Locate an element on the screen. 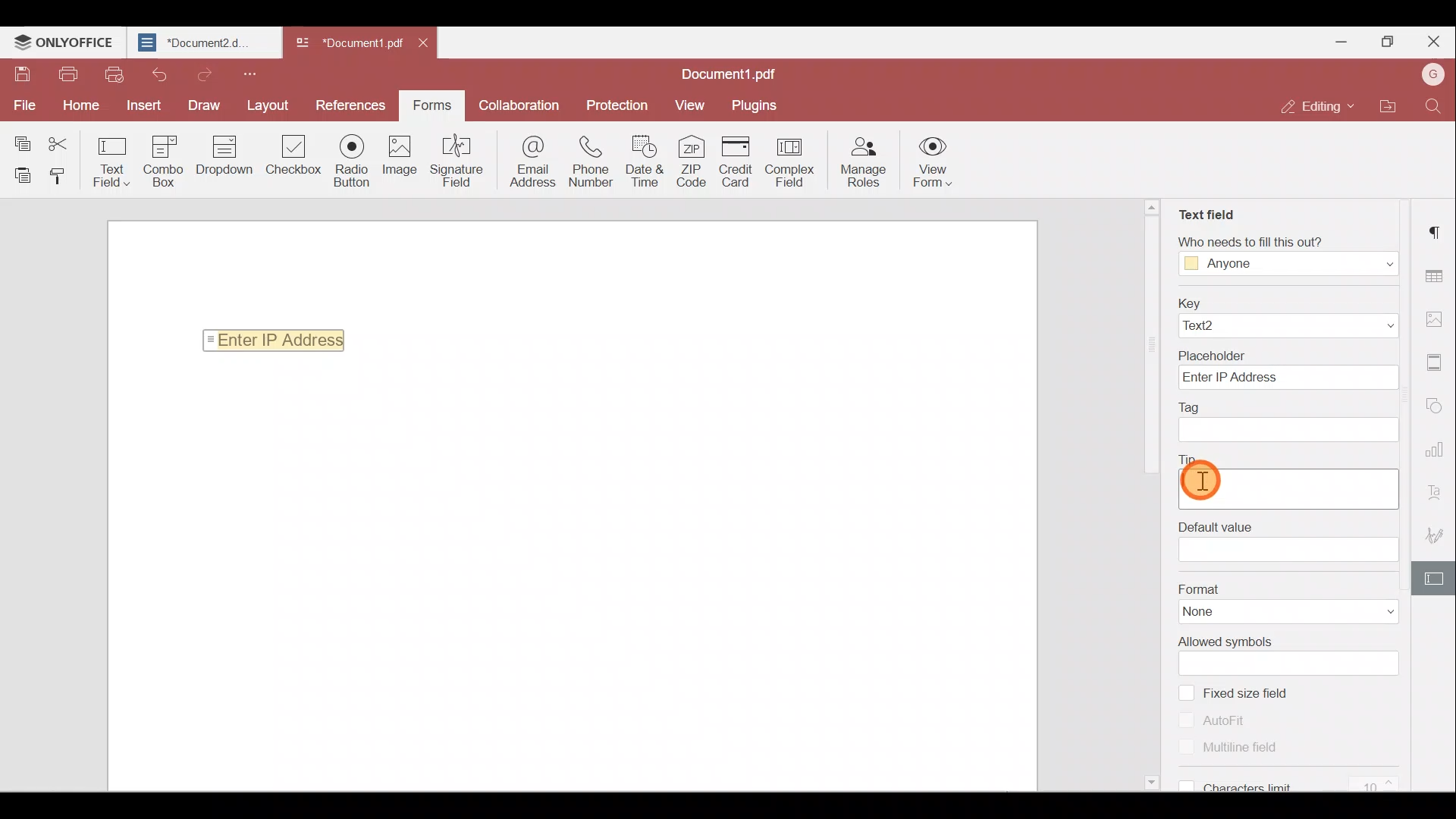 This screenshot has width=1456, height=819. Cursor on tip is located at coordinates (1200, 484).